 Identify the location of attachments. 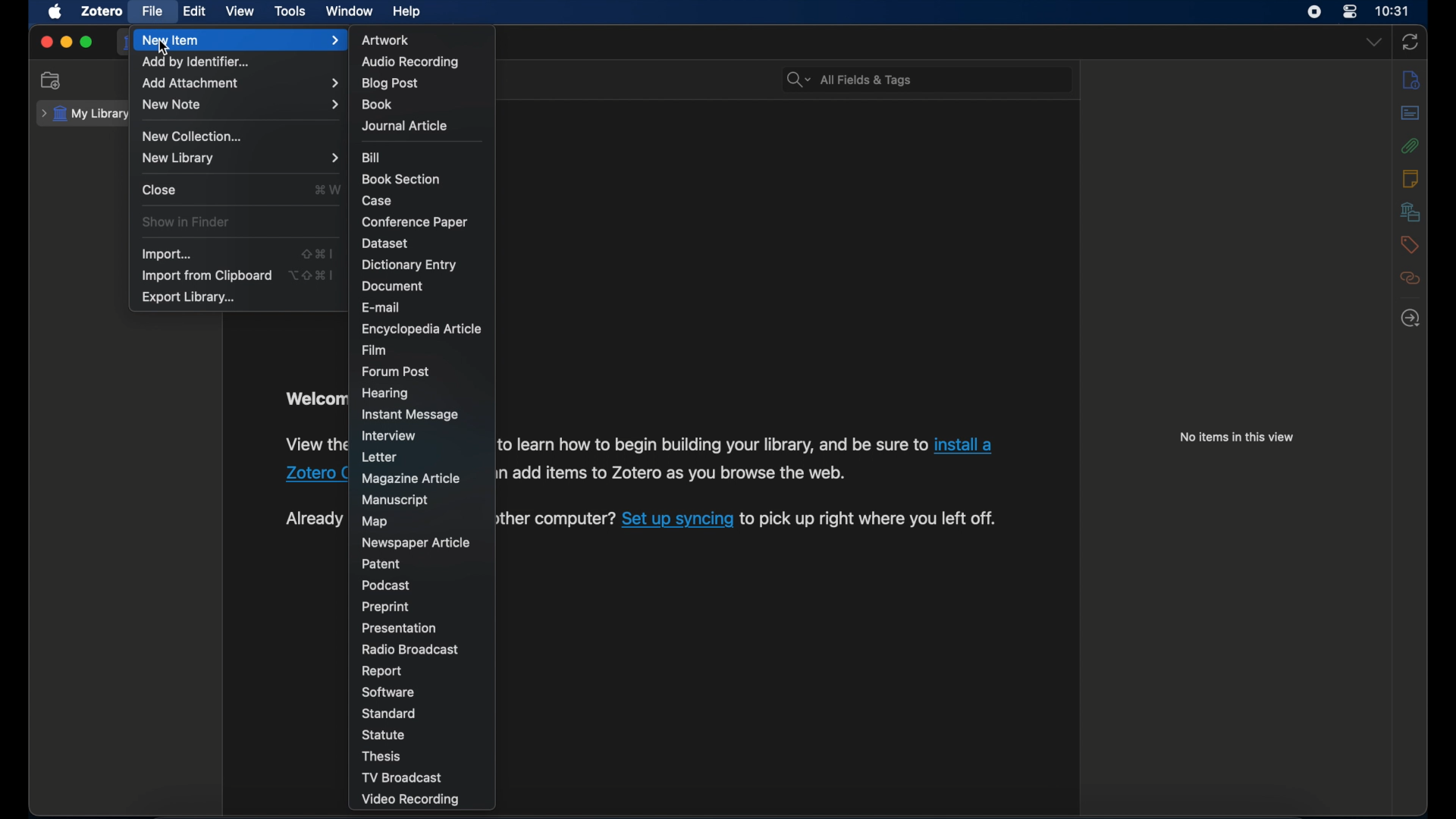
(1410, 146).